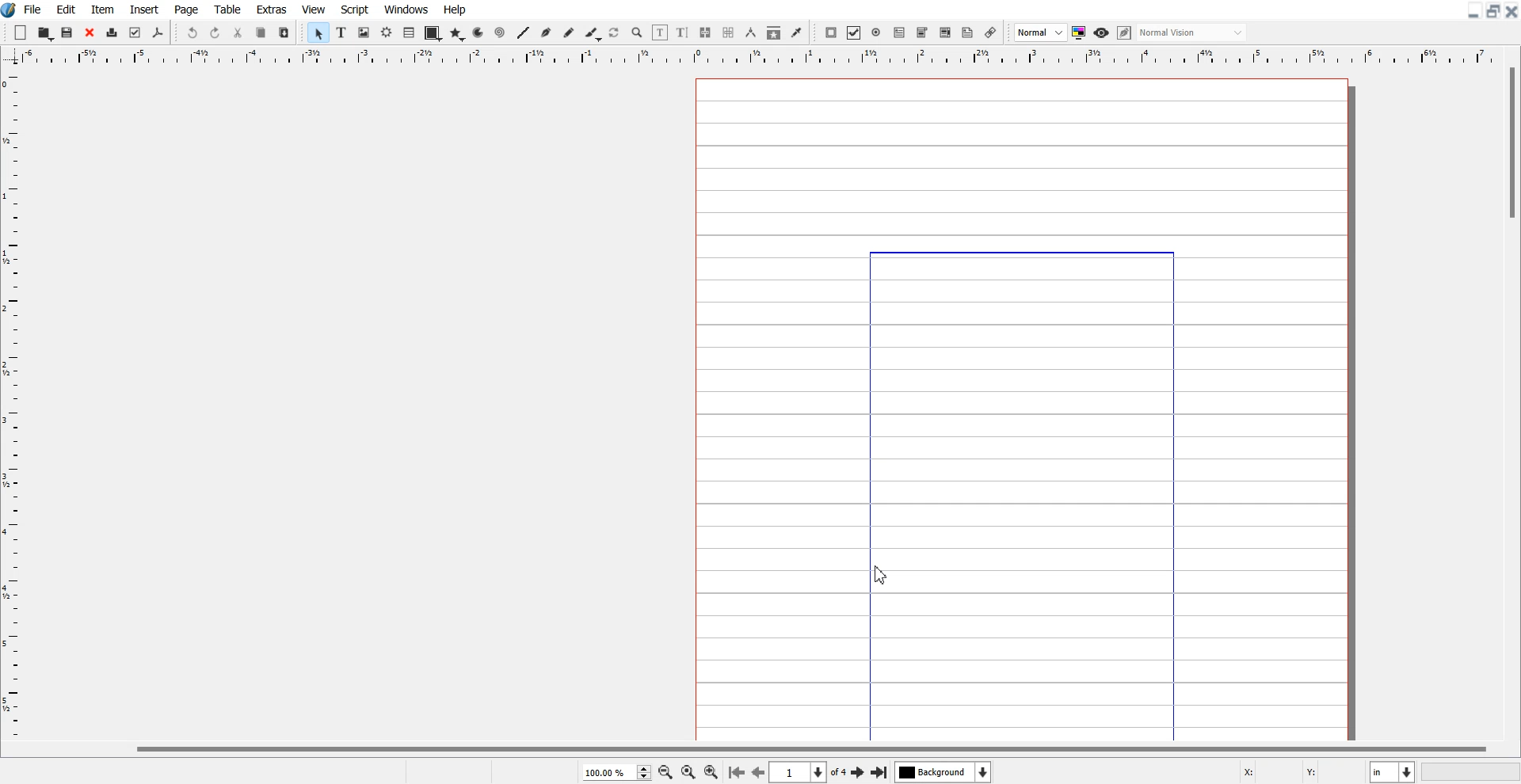  What do you see at coordinates (342, 32) in the screenshot?
I see `Text Frame` at bounding box center [342, 32].